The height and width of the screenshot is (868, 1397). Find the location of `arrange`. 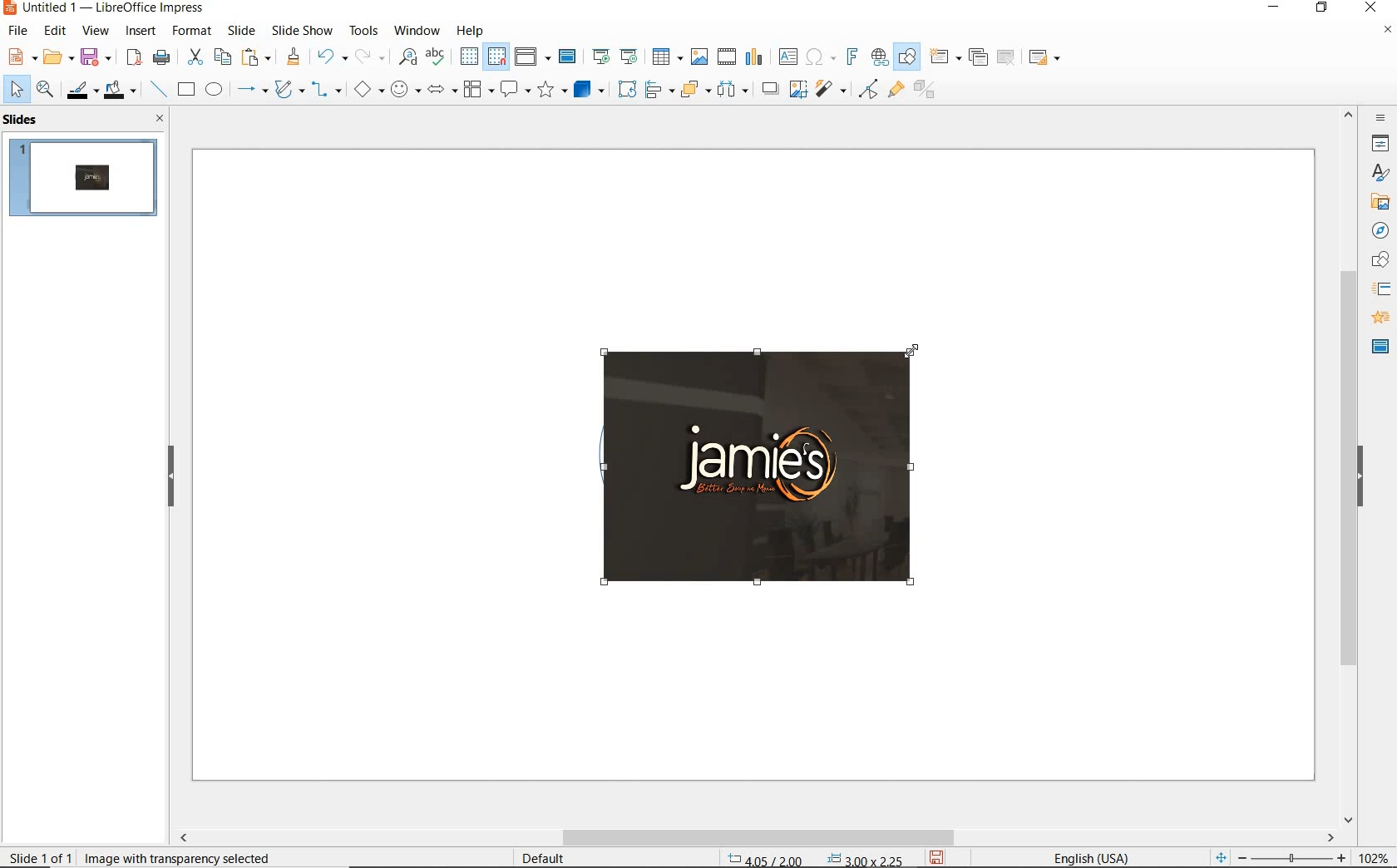

arrange is located at coordinates (692, 88).